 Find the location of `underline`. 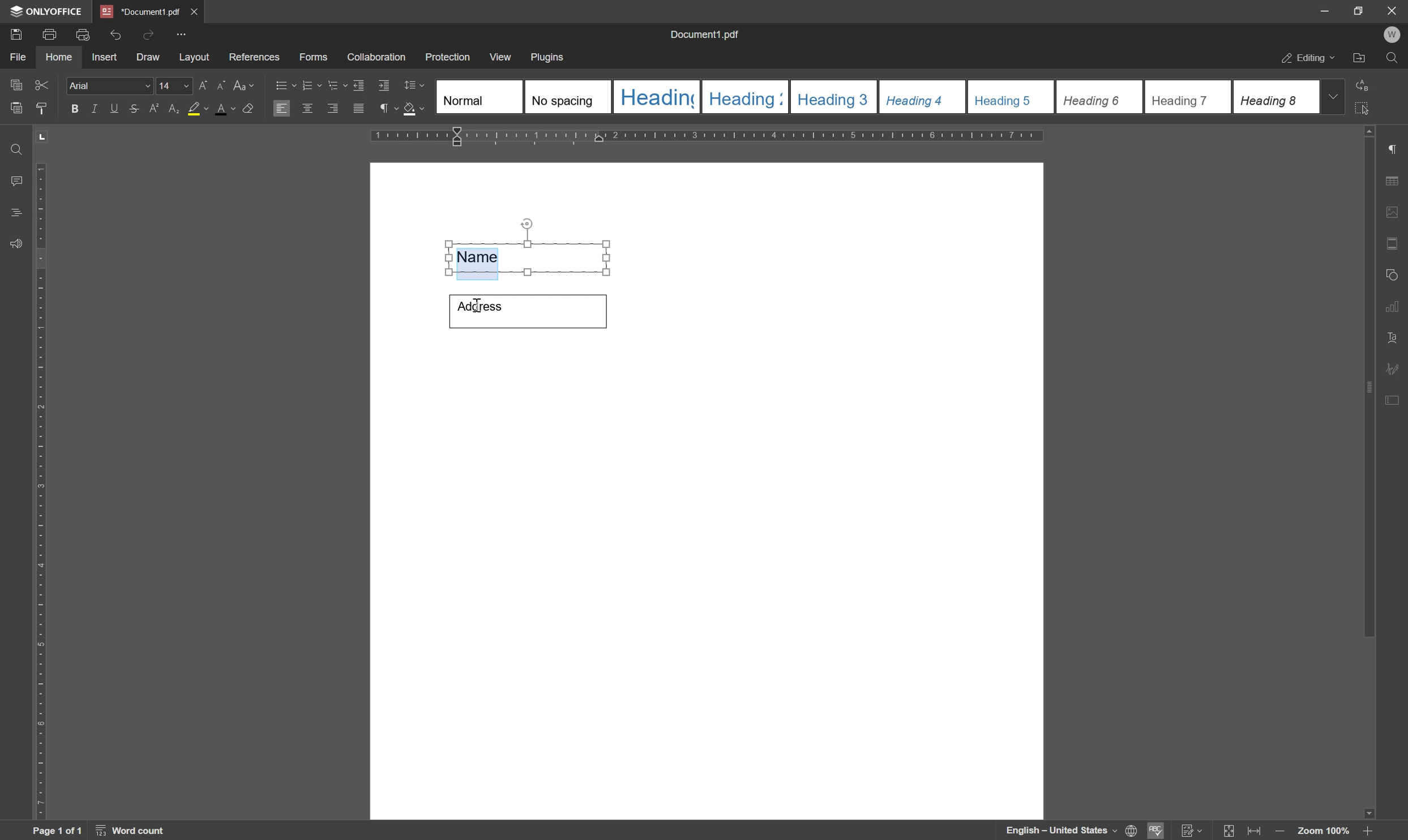

underline is located at coordinates (114, 108).